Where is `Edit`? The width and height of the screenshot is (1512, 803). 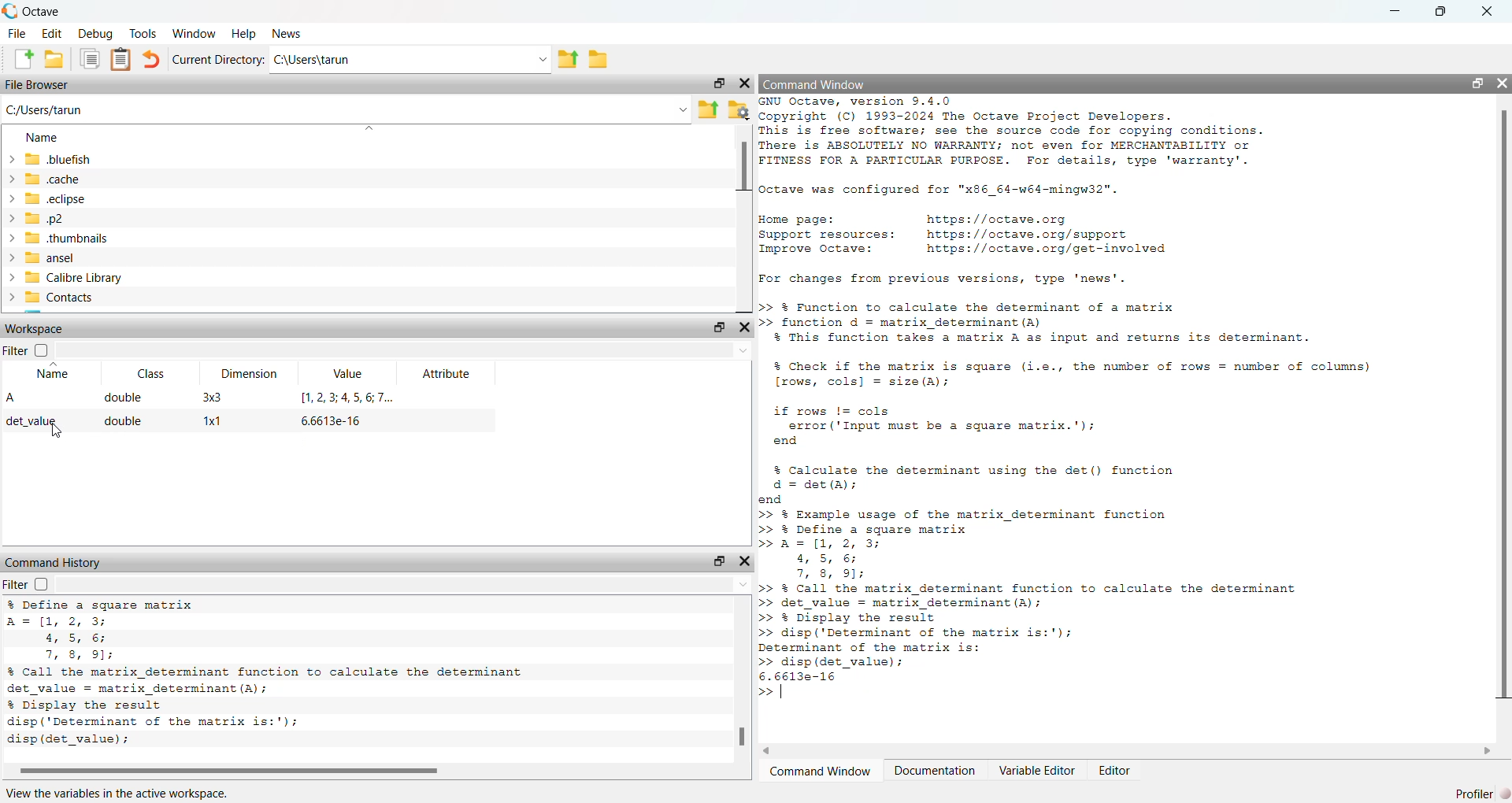
Edit is located at coordinates (54, 34).